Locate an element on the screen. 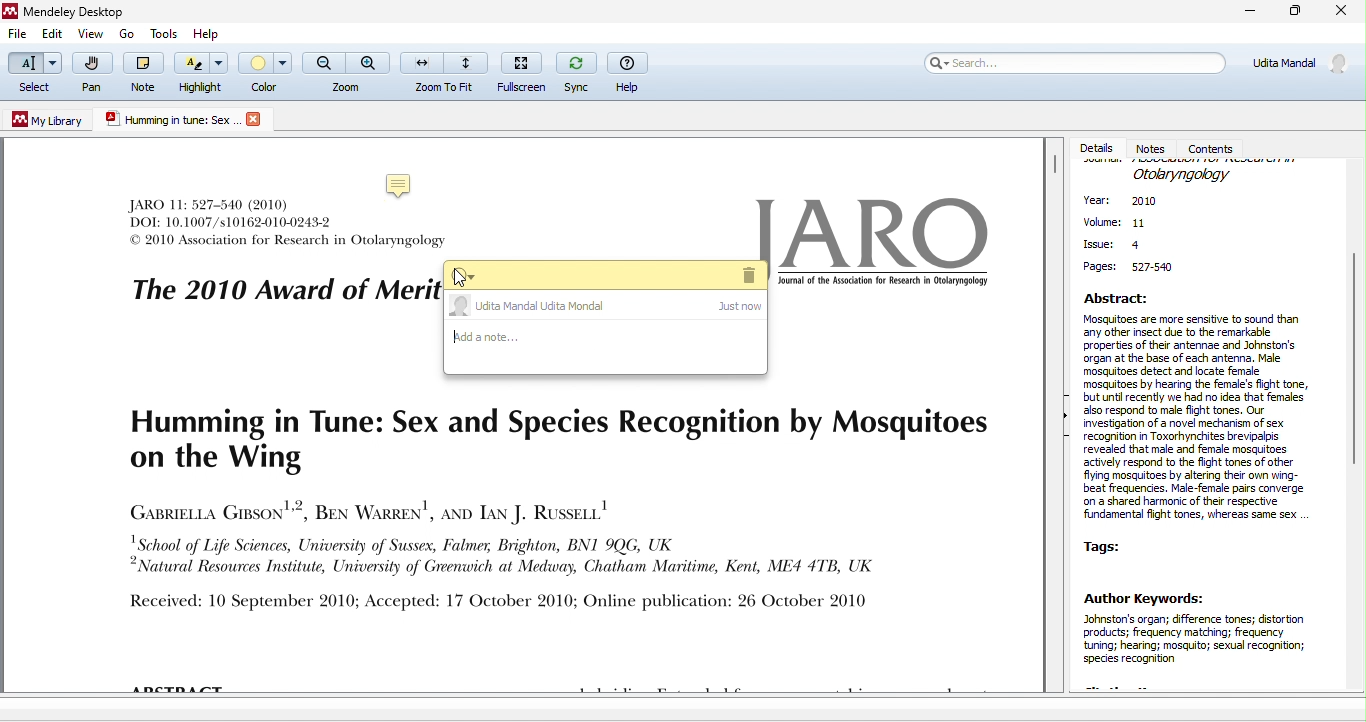  account is located at coordinates (1298, 69).